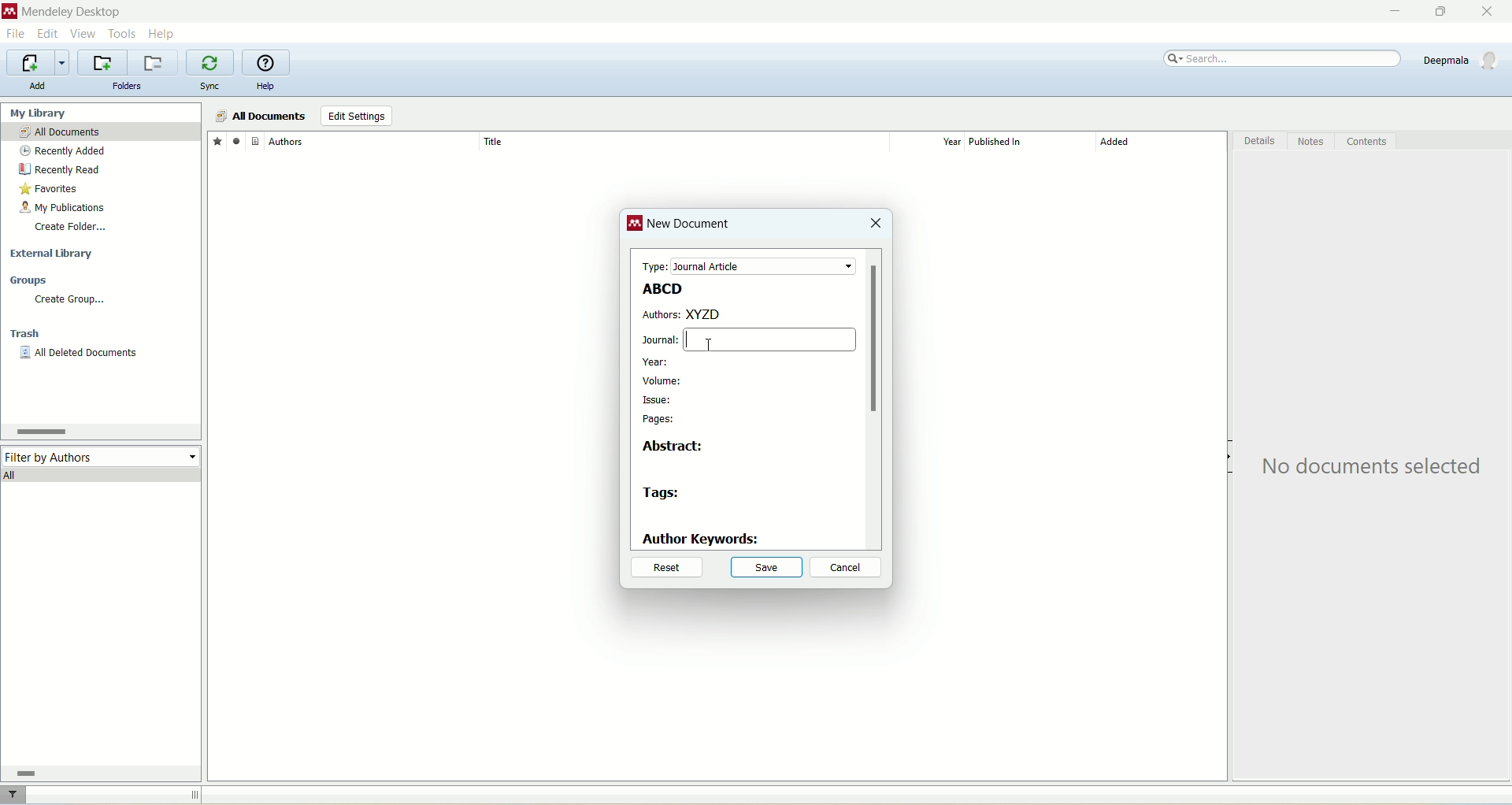 The image size is (1512, 805). What do you see at coordinates (267, 63) in the screenshot?
I see `online help guide for mendeley` at bounding box center [267, 63].